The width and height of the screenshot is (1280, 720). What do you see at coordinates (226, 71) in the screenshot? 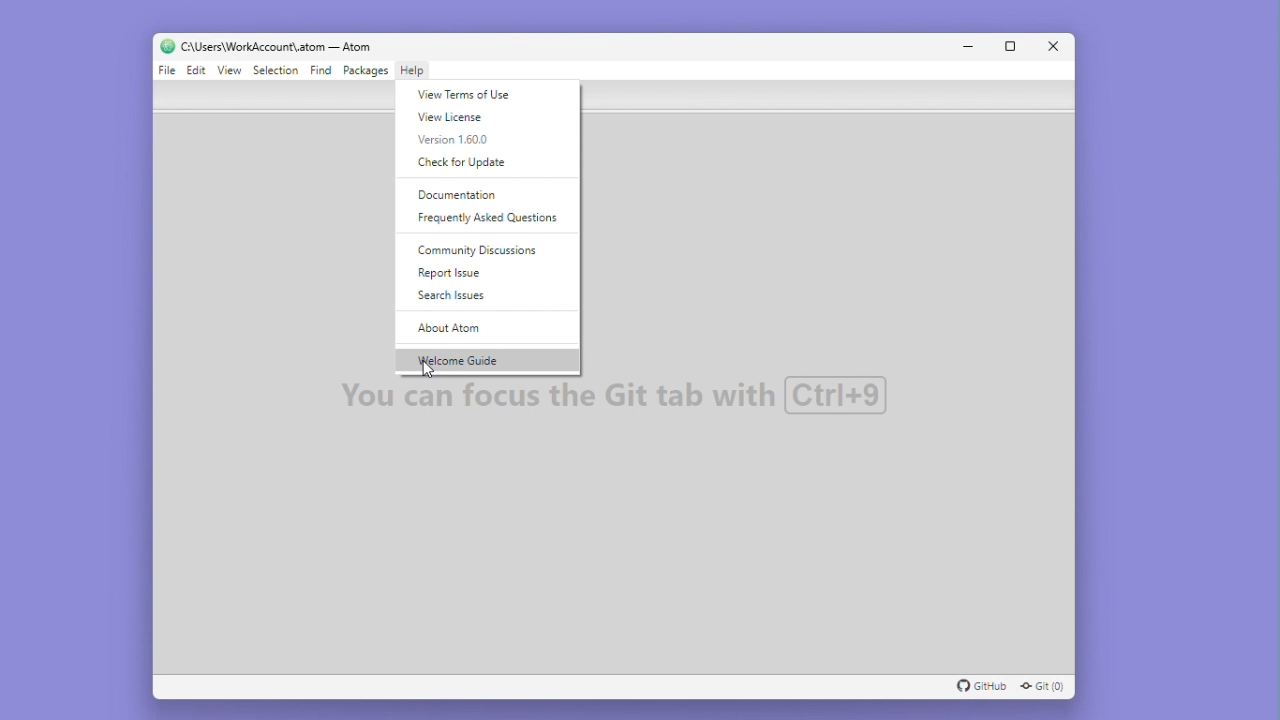
I see `View ` at bounding box center [226, 71].